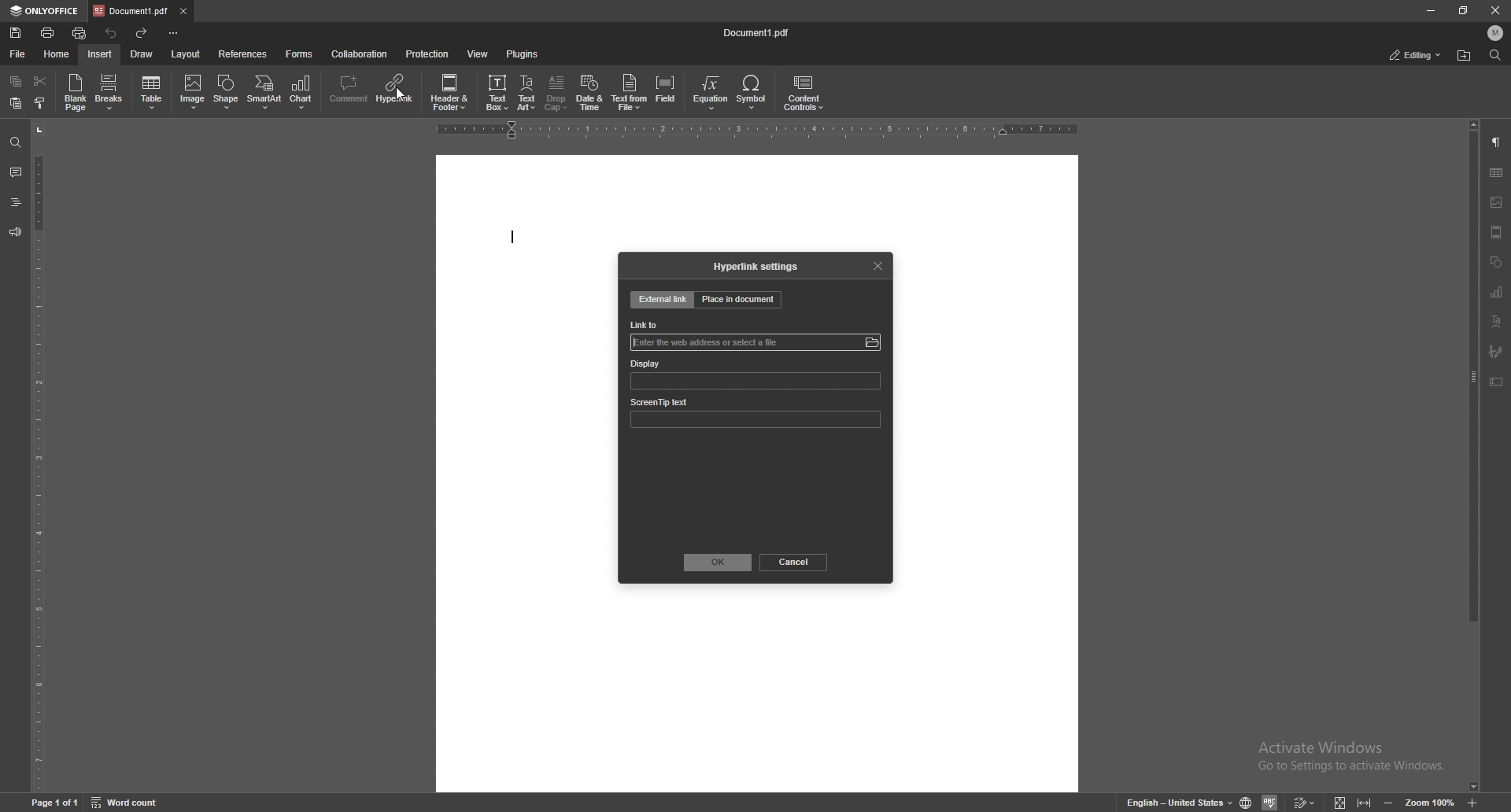  What do you see at coordinates (1497, 202) in the screenshot?
I see `image` at bounding box center [1497, 202].